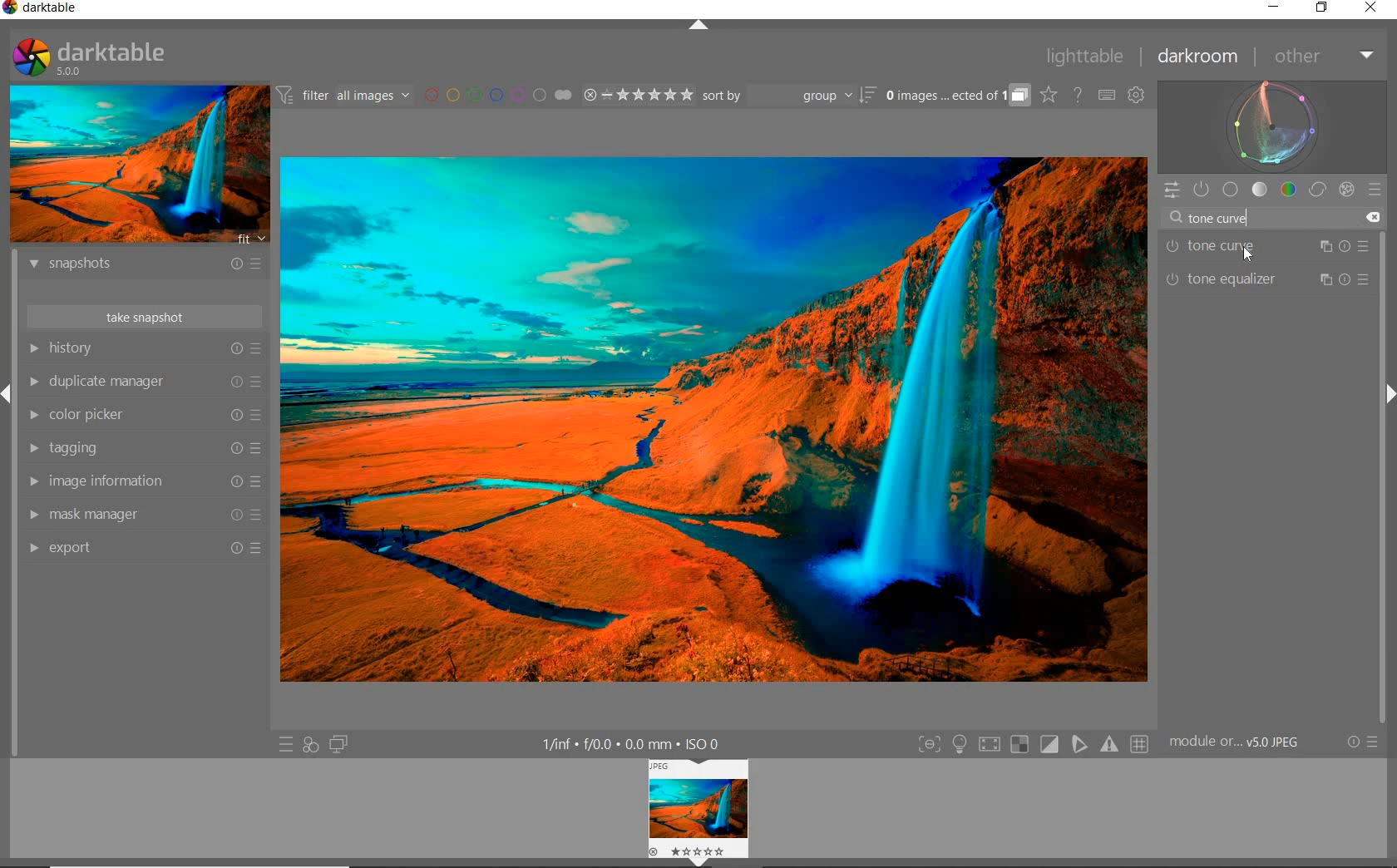 The width and height of the screenshot is (1397, 868). I want to click on effect, so click(1344, 189).